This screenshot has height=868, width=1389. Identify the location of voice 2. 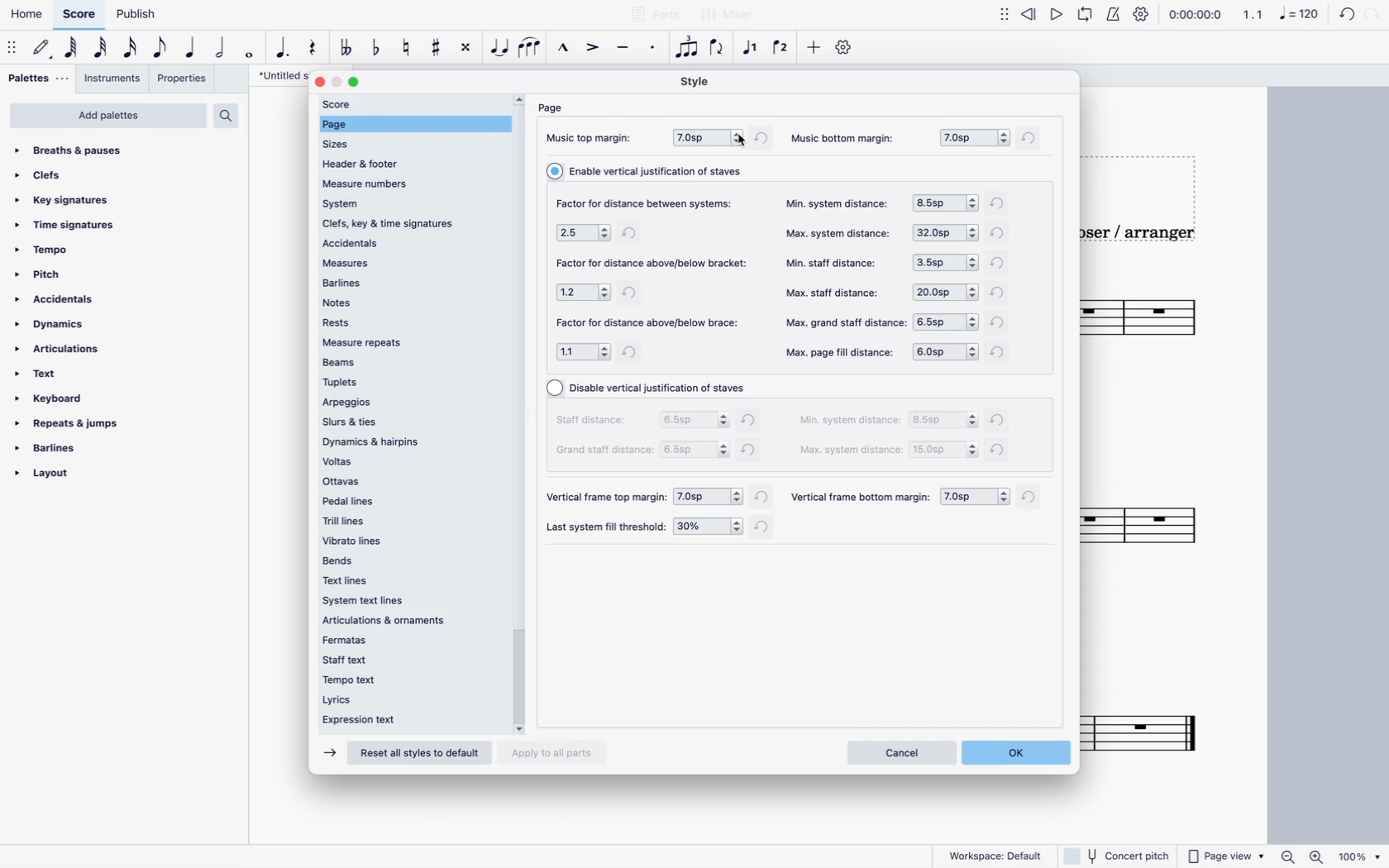
(783, 48).